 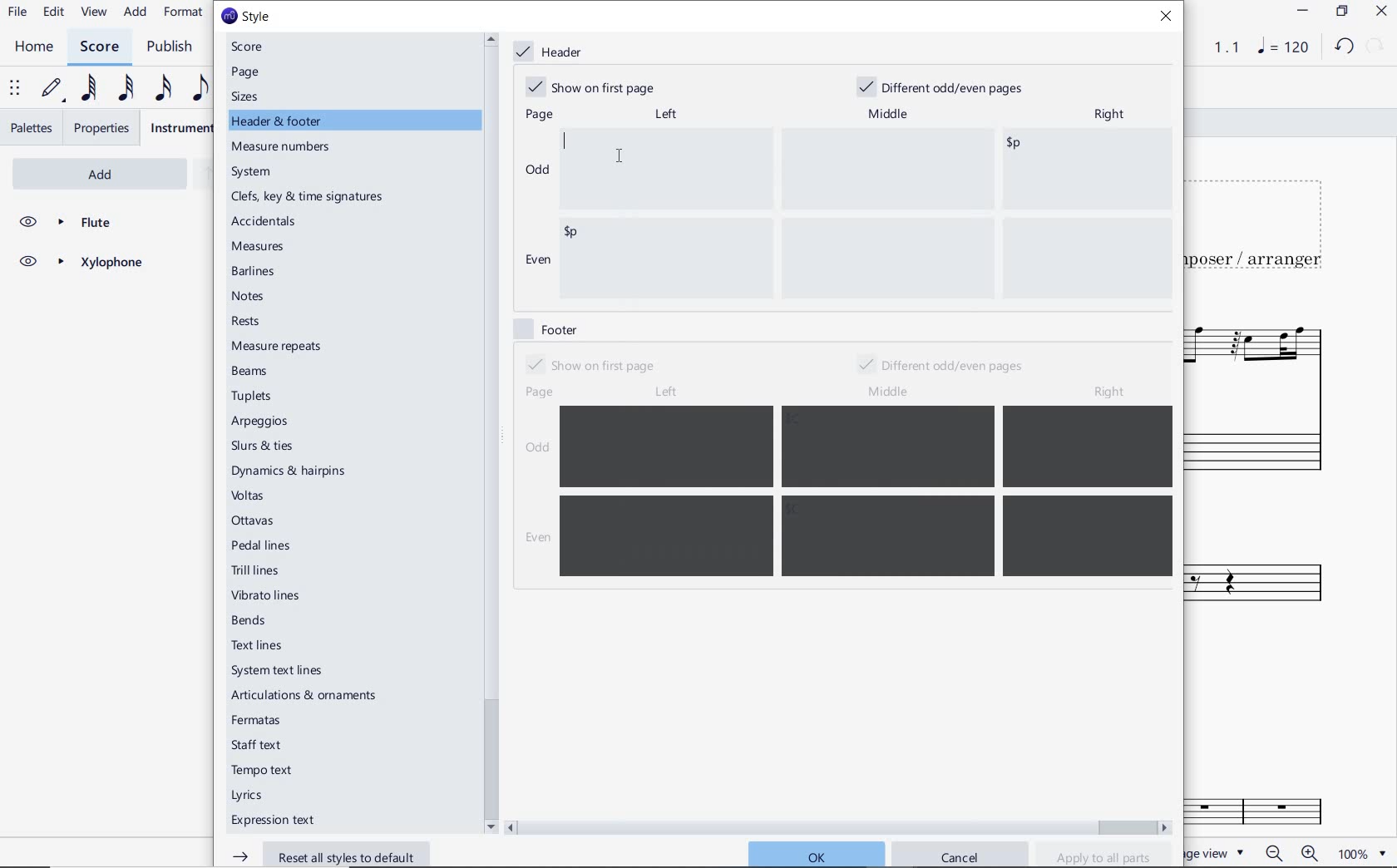 What do you see at coordinates (323, 854) in the screenshot?
I see `reset all styles to default` at bounding box center [323, 854].